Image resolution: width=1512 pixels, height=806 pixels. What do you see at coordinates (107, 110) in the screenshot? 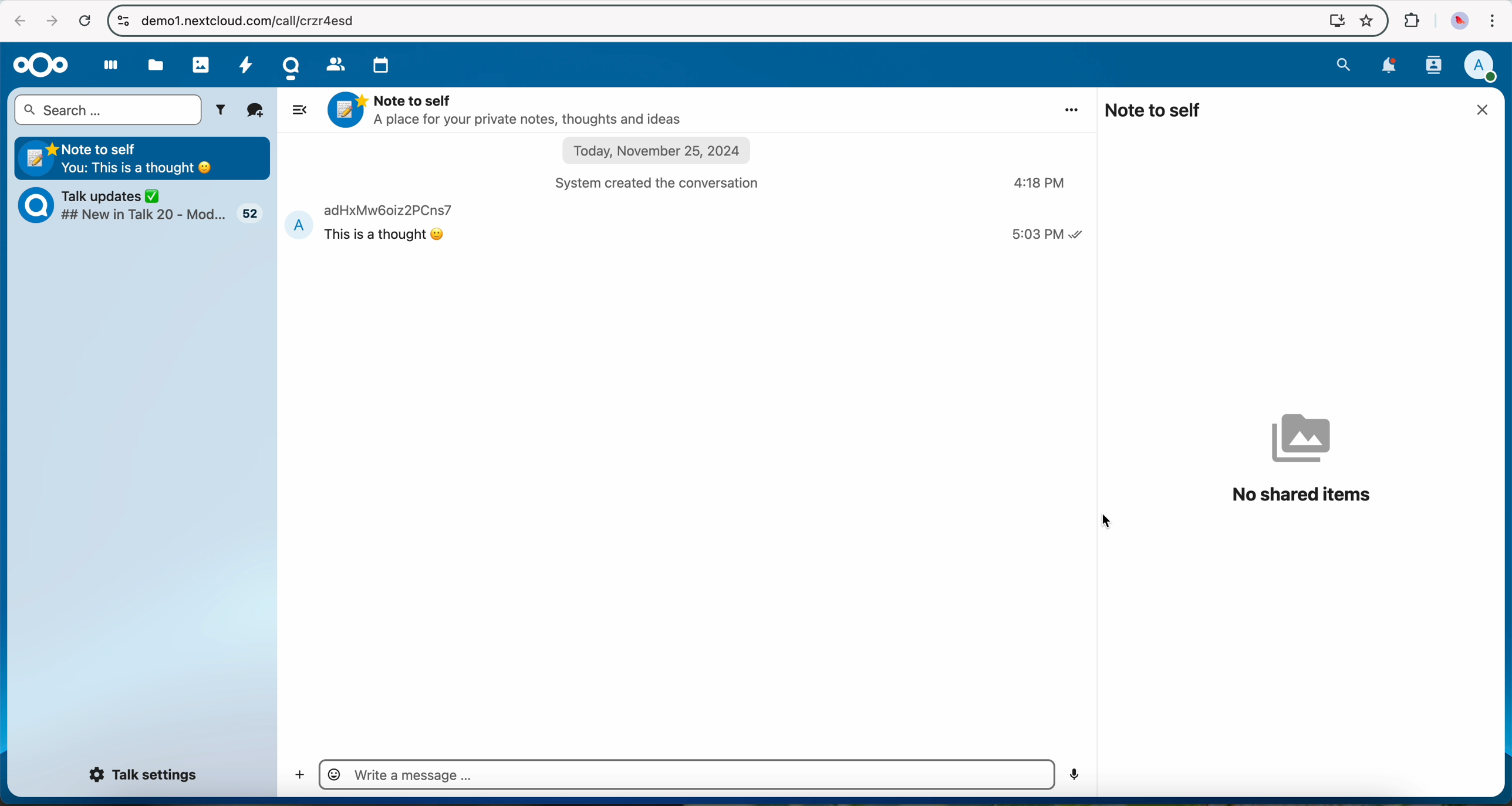
I see `search bar` at bounding box center [107, 110].